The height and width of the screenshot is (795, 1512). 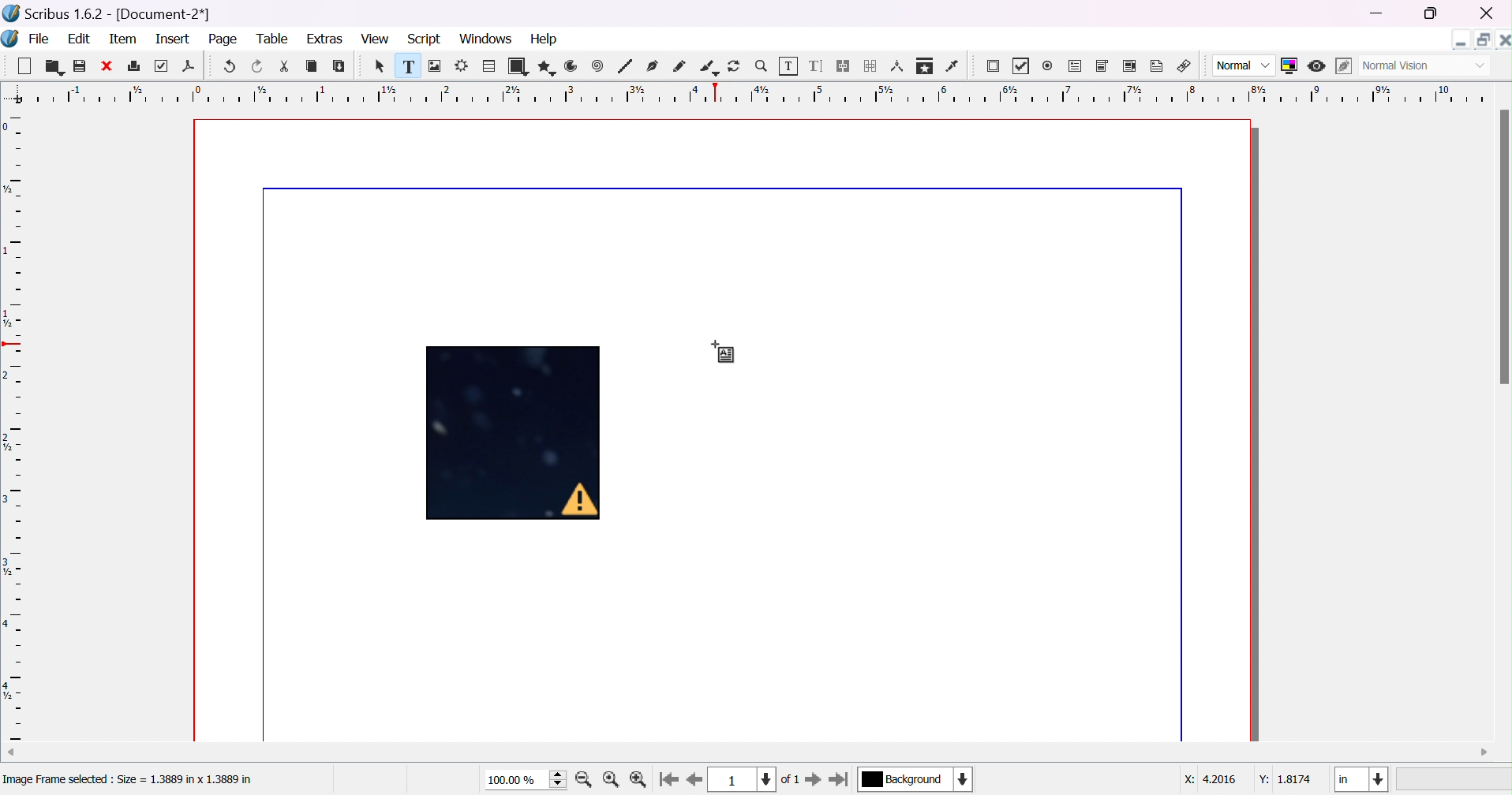 I want to click on restore down, so click(x=1432, y=15).